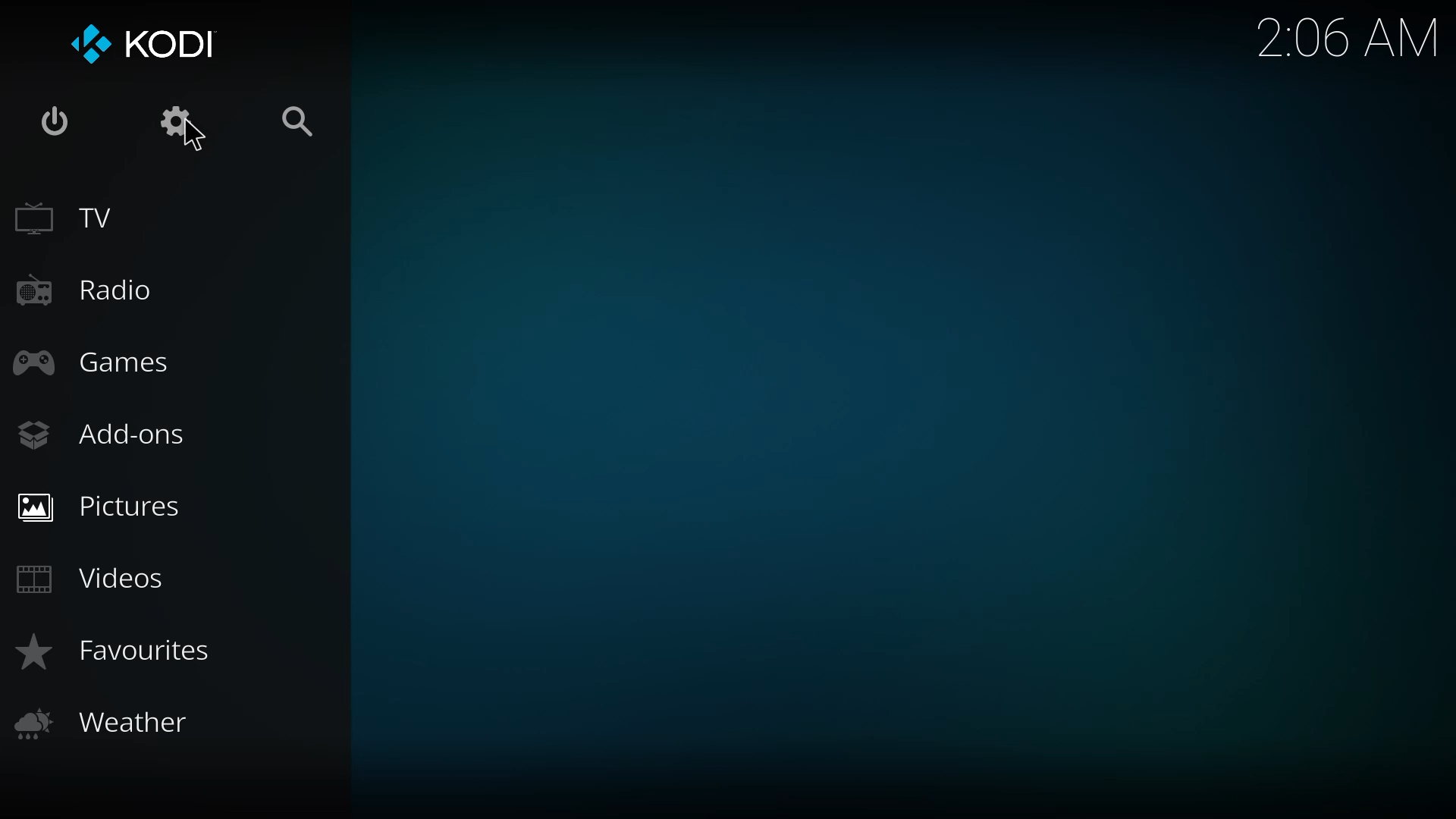 The image size is (1456, 819). What do you see at coordinates (106, 434) in the screenshot?
I see `add-ons` at bounding box center [106, 434].